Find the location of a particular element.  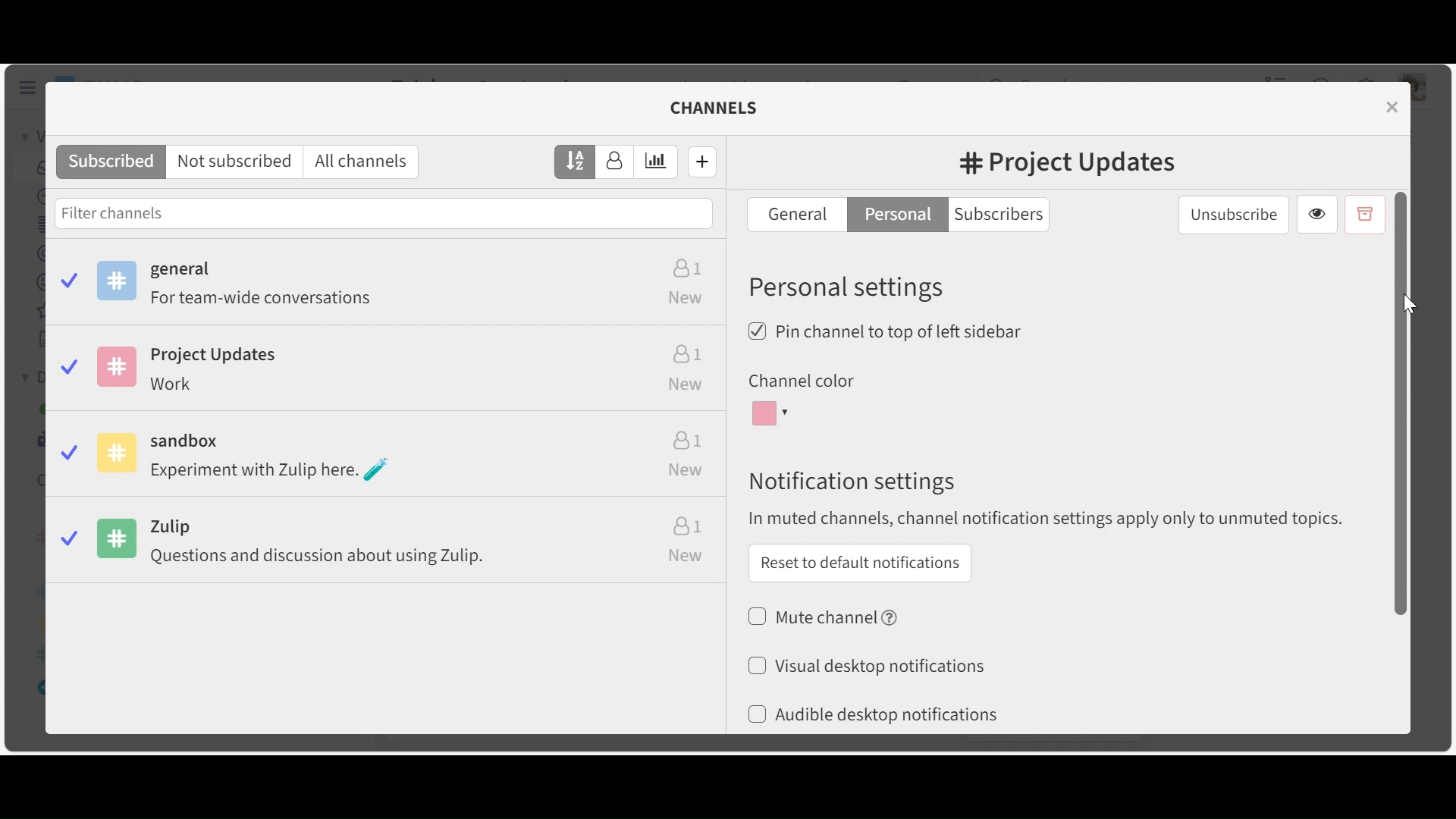

Channel color dropdown menu is located at coordinates (768, 416).